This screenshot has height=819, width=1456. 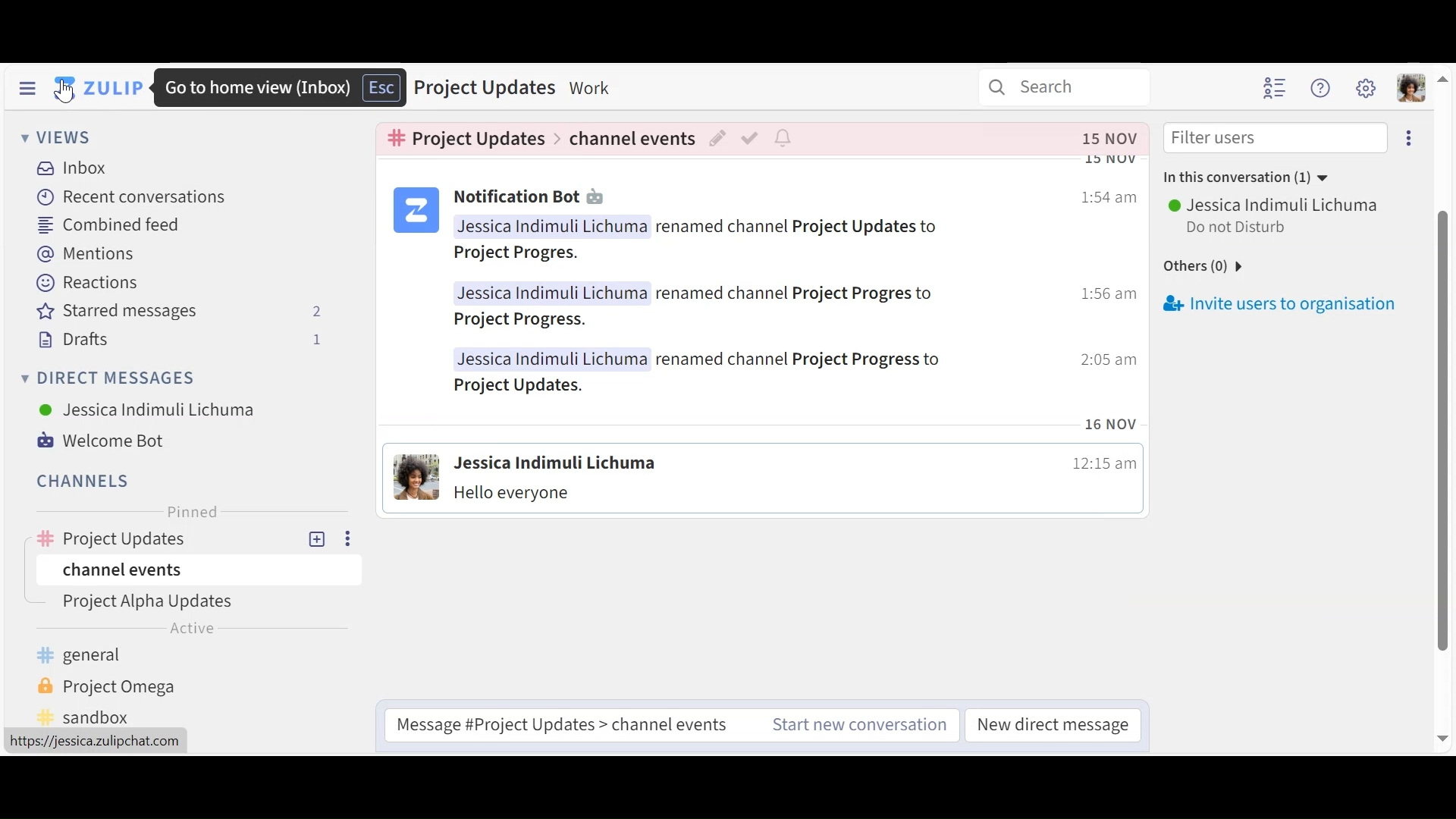 What do you see at coordinates (1443, 406) in the screenshot?
I see `Vertical Scrollbar` at bounding box center [1443, 406].